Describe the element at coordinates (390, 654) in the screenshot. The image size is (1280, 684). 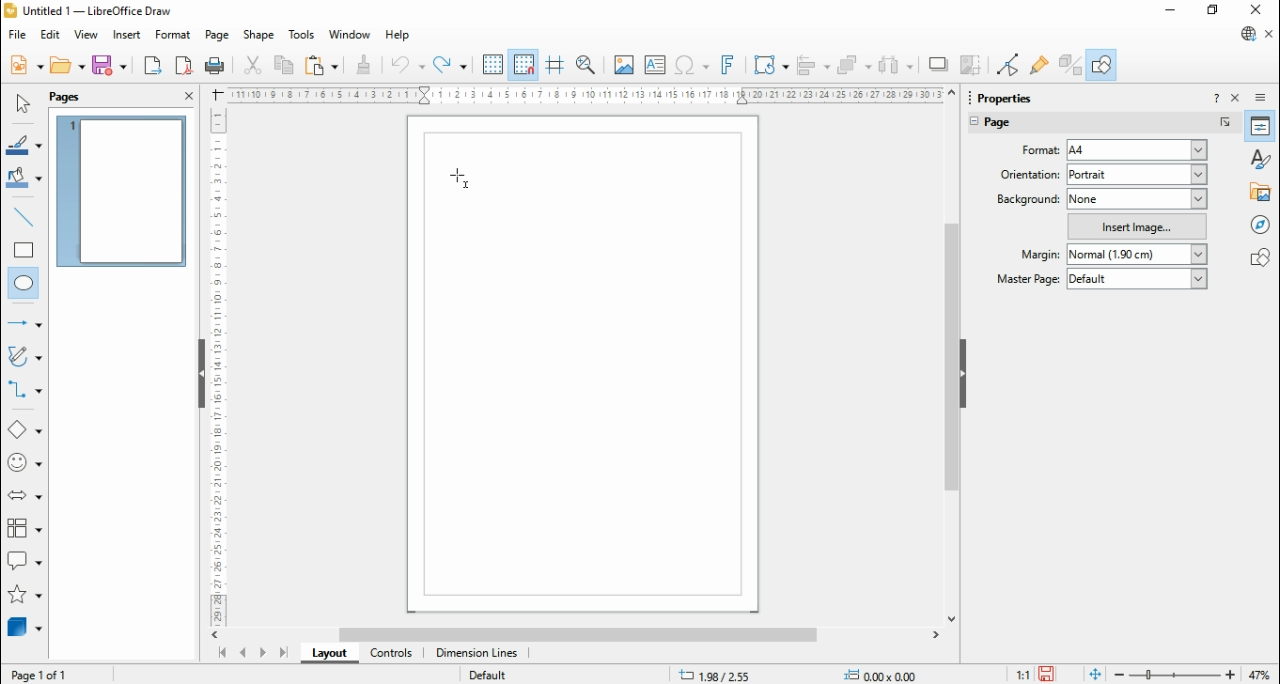
I see `controls` at that location.